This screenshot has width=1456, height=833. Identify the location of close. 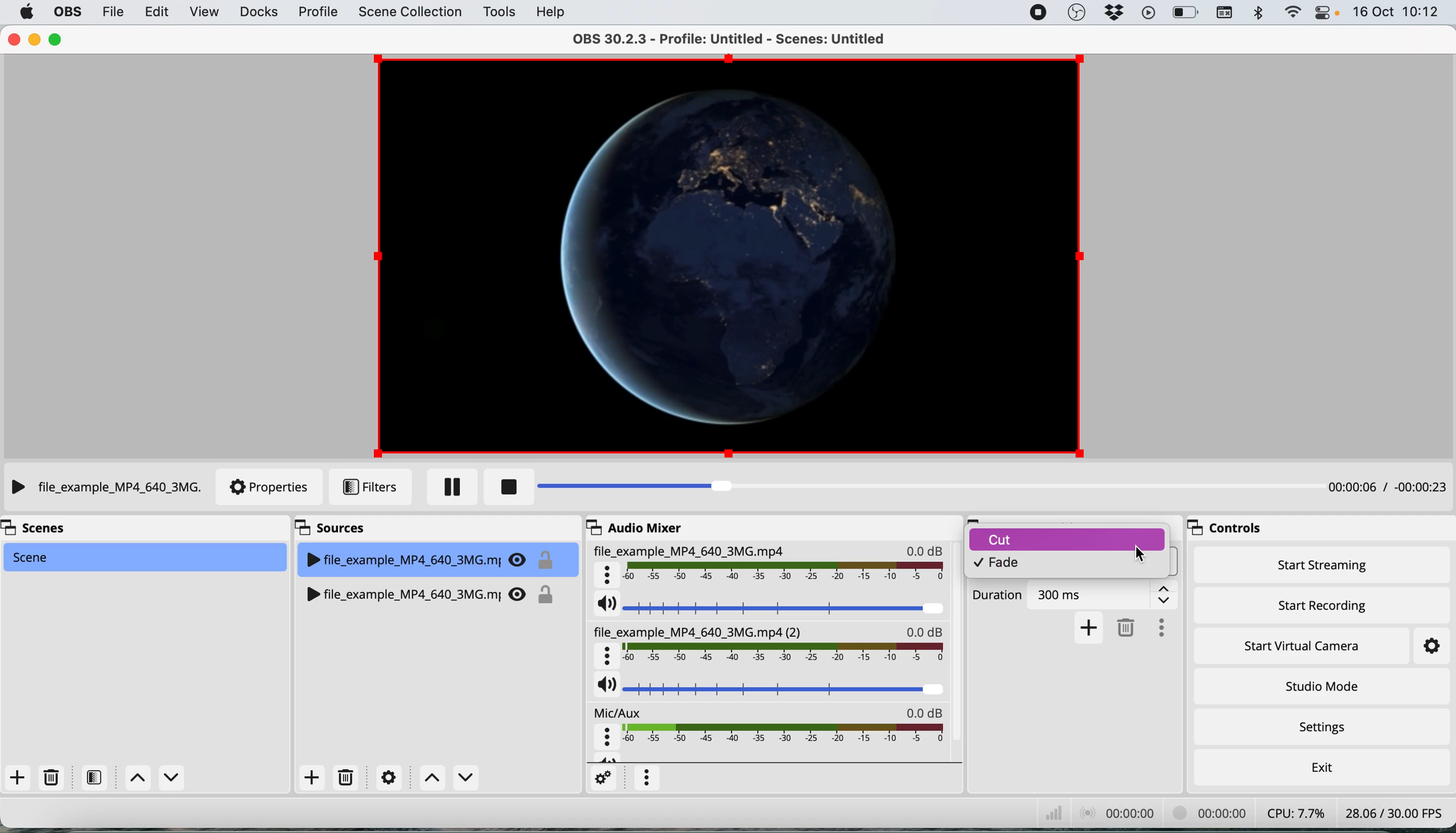
(13, 40).